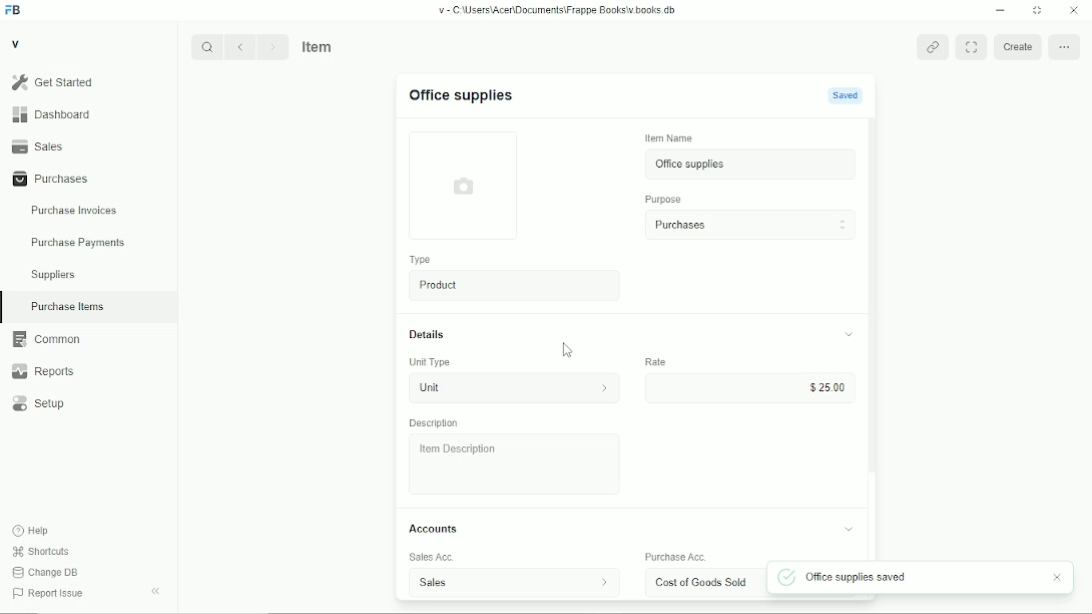 The image size is (1092, 614). I want to click on details, so click(427, 334).